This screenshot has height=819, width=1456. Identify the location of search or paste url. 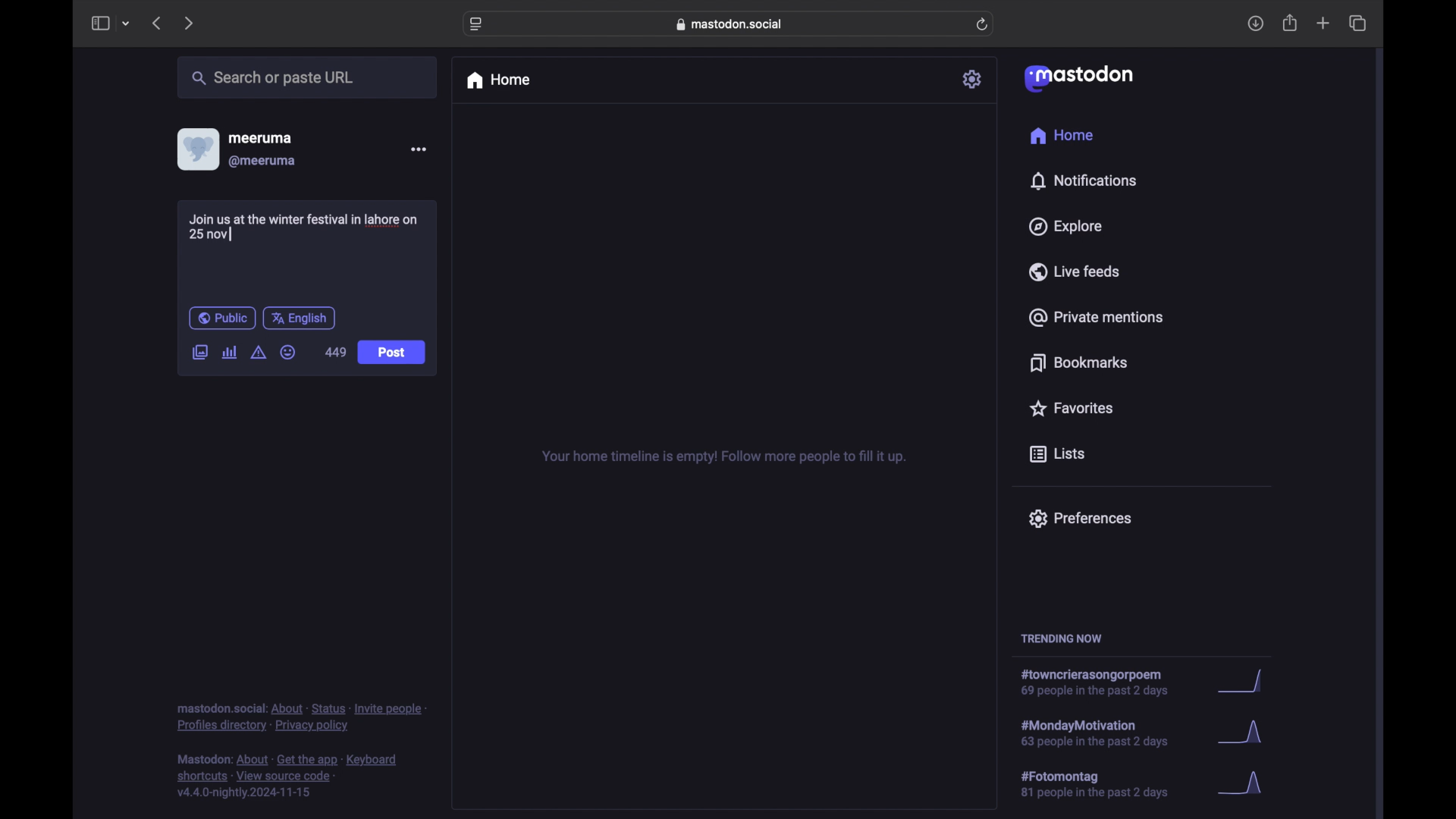
(272, 78).